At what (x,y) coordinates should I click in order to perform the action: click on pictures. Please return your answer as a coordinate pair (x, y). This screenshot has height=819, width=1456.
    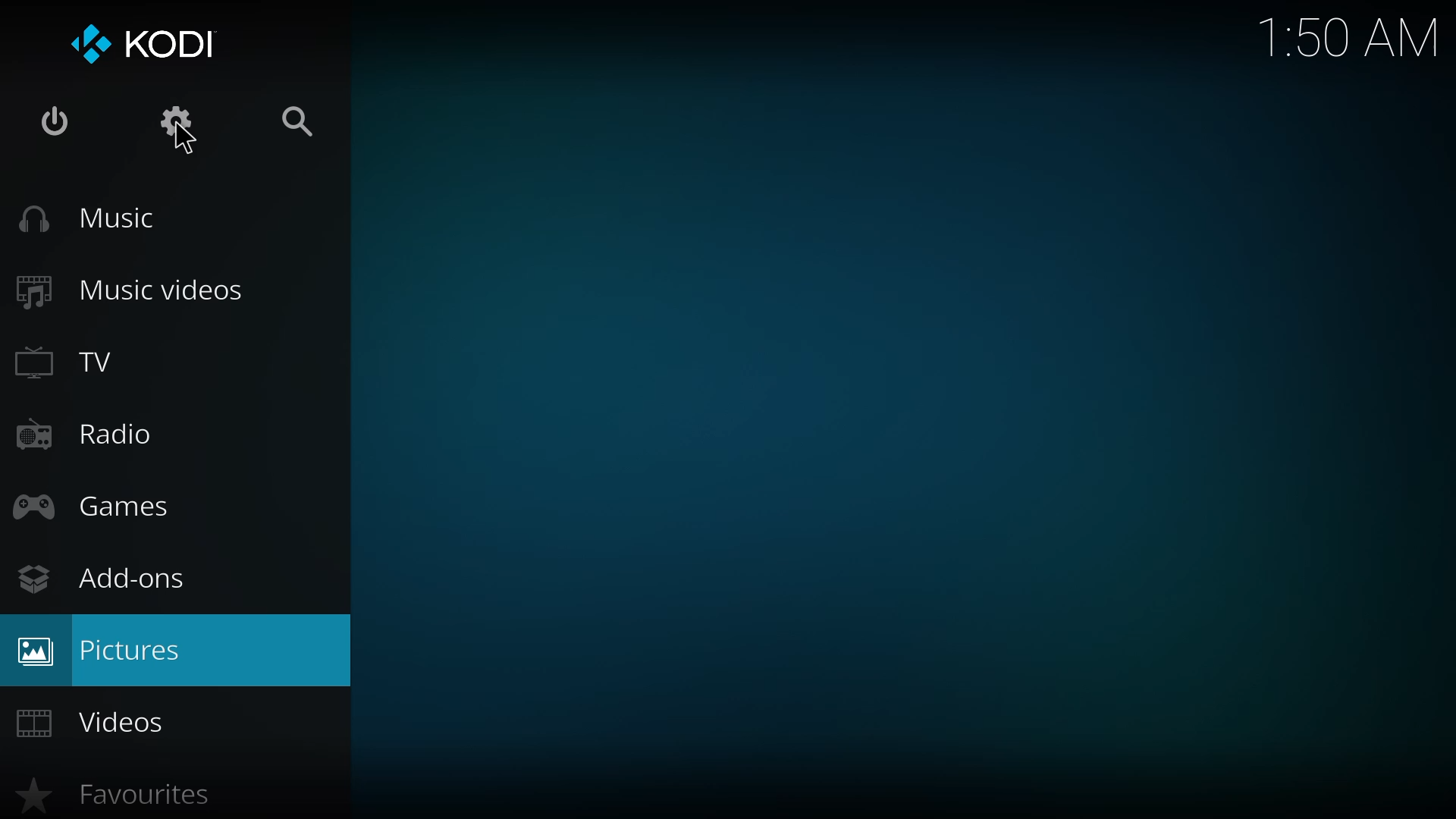
    Looking at the image, I should click on (105, 651).